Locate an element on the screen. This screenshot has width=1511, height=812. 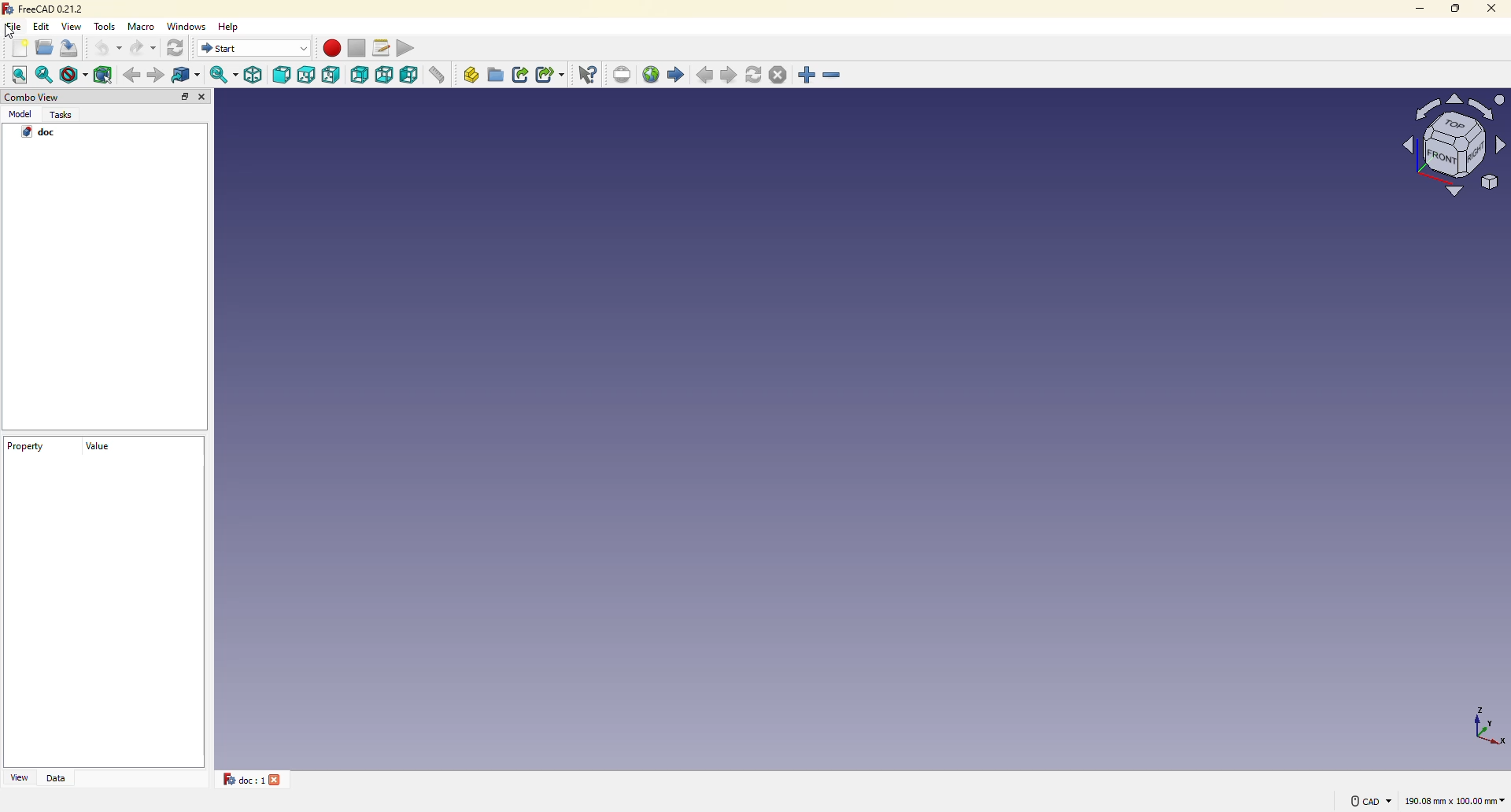
zoom out is located at coordinates (833, 76).